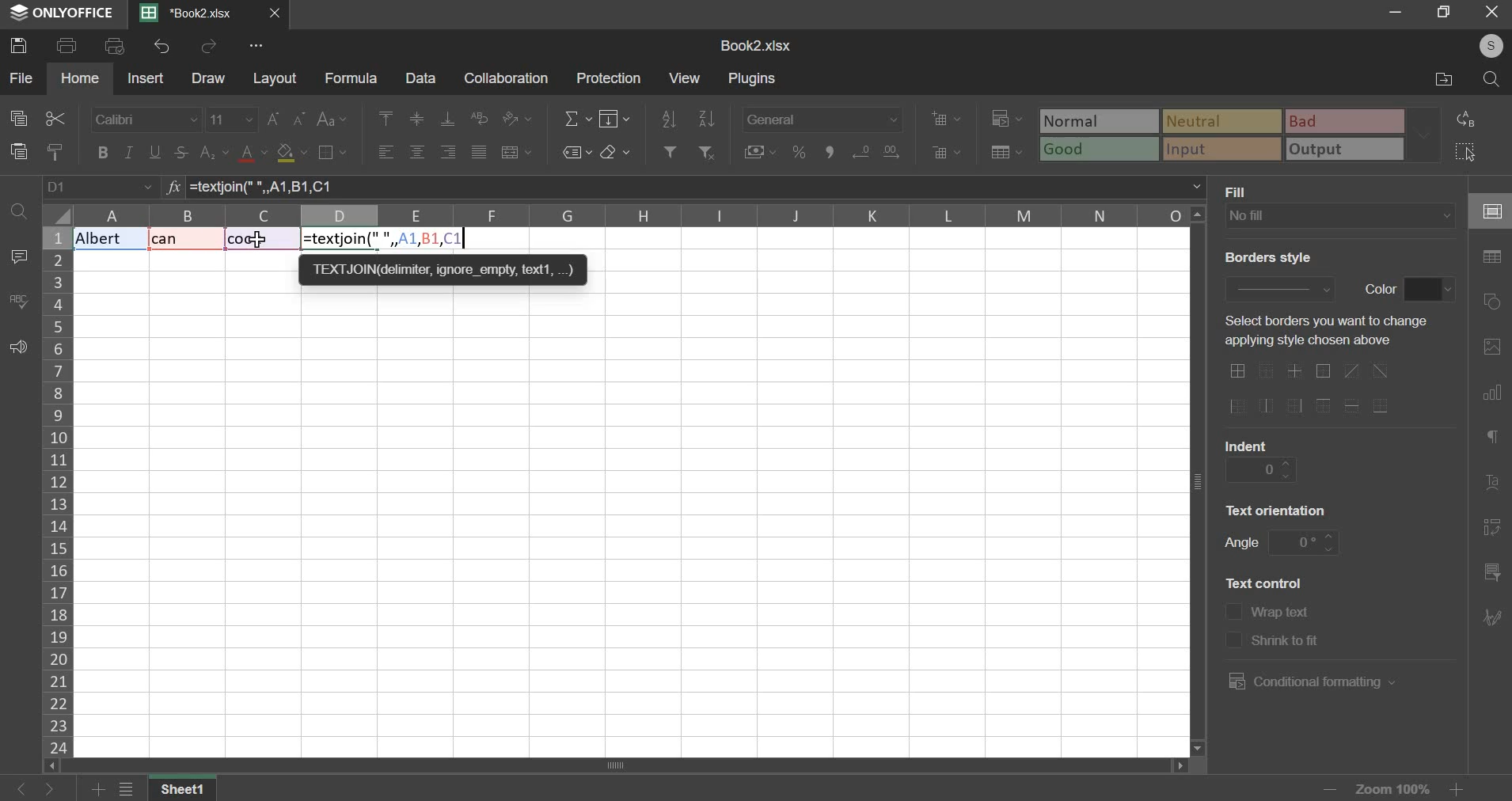  Describe the element at coordinates (946, 118) in the screenshot. I see `add cells` at that location.